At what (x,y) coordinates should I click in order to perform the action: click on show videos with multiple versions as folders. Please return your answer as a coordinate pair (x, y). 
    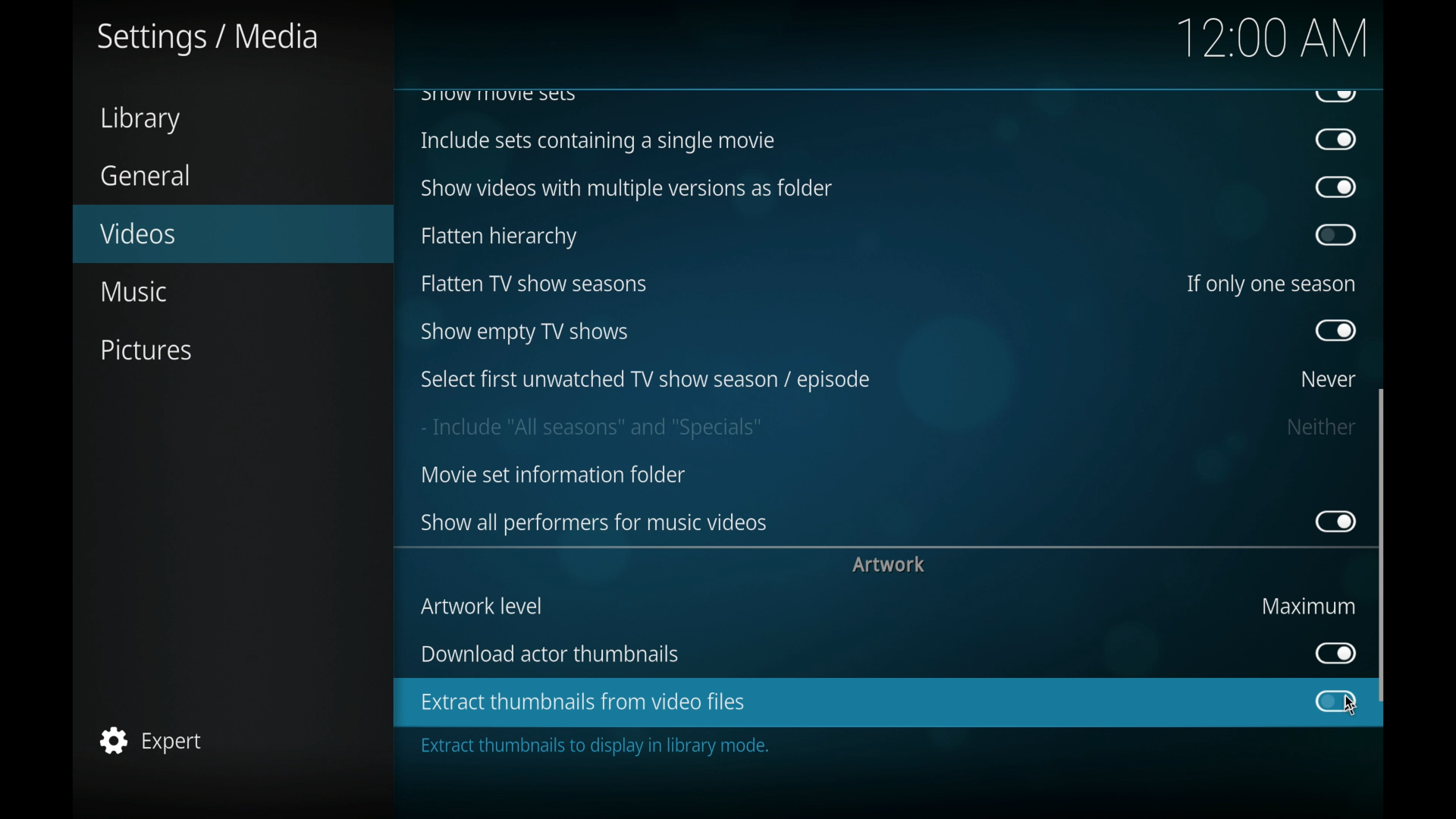
    Looking at the image, I should click on (627, 190).